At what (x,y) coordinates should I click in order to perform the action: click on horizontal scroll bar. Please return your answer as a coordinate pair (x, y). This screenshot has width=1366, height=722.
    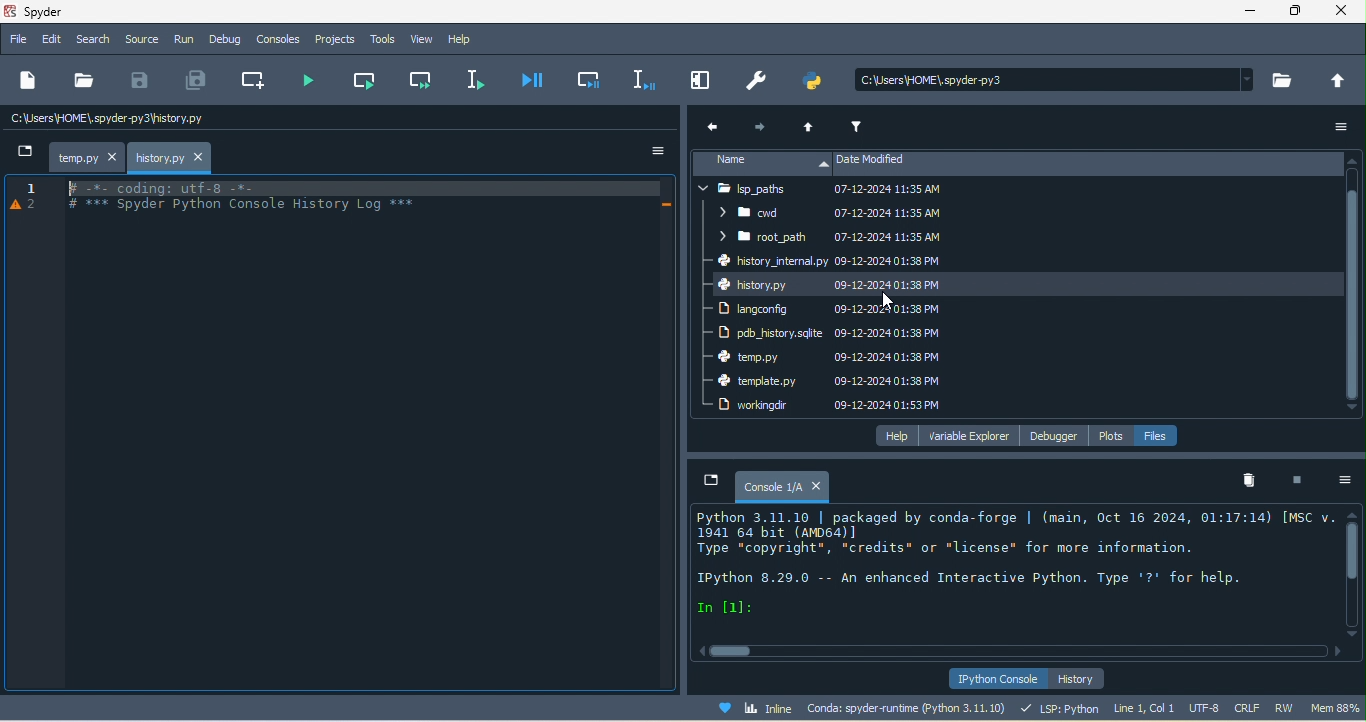
    Looking at the image, I should click on (1017, 653).